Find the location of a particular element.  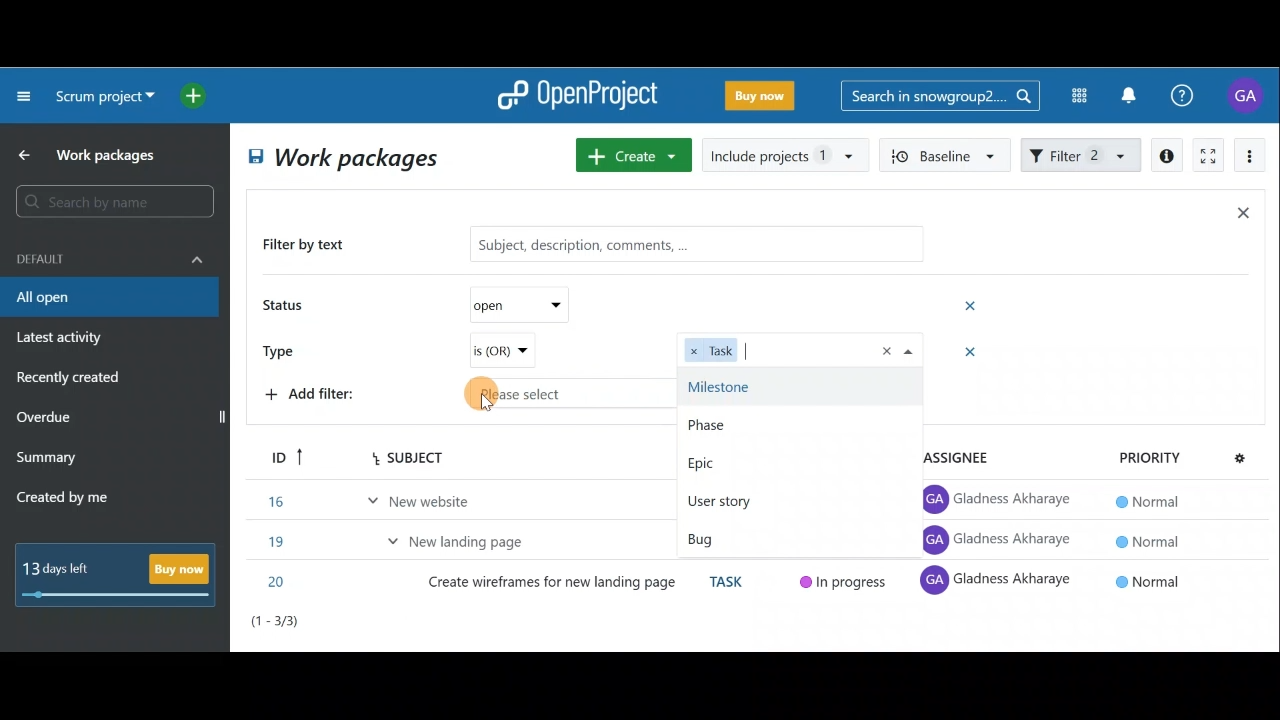

Normal is located at coordinates (1144, 539).